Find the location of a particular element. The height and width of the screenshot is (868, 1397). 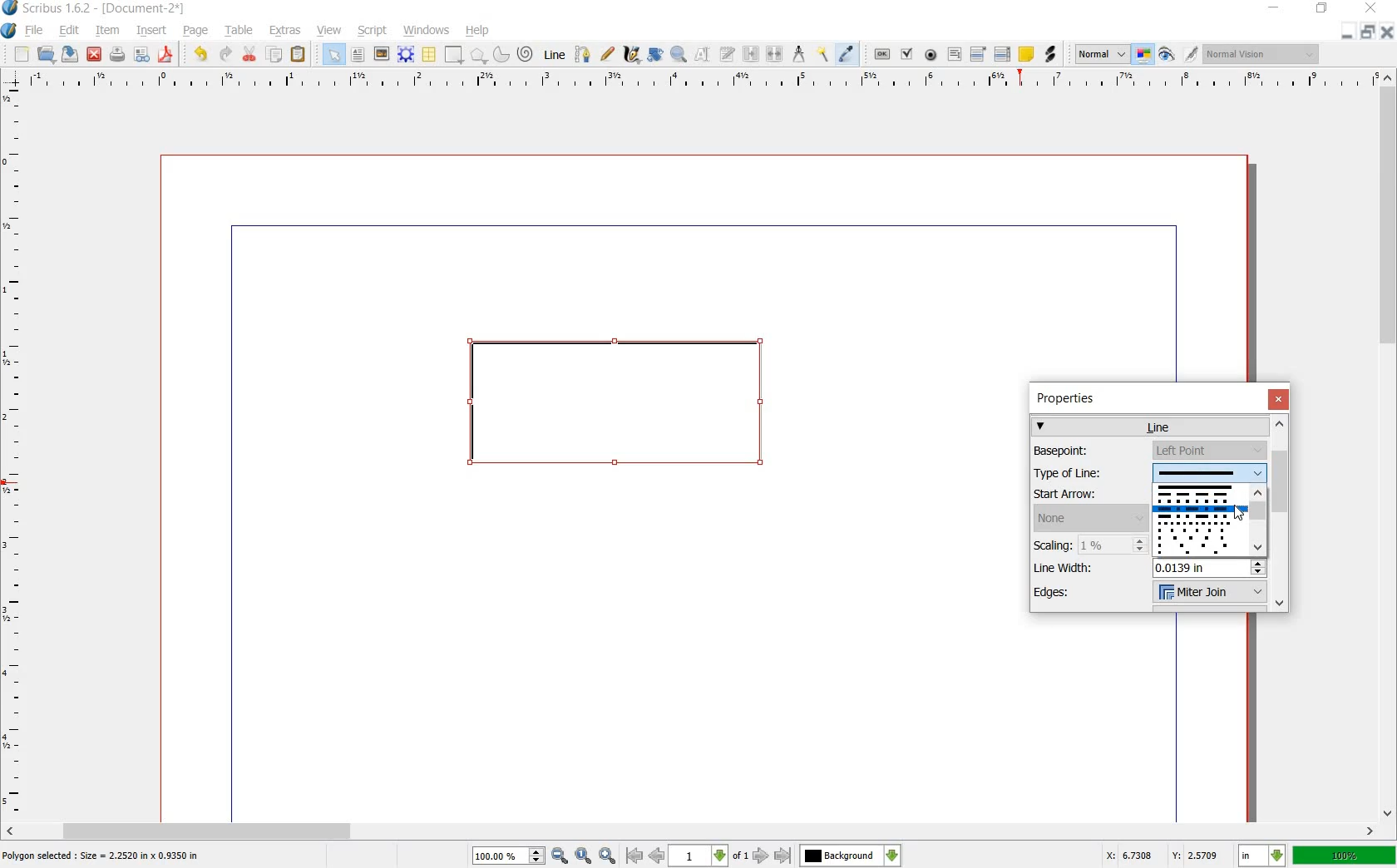

zoom to is located at coordinates (583, 856).